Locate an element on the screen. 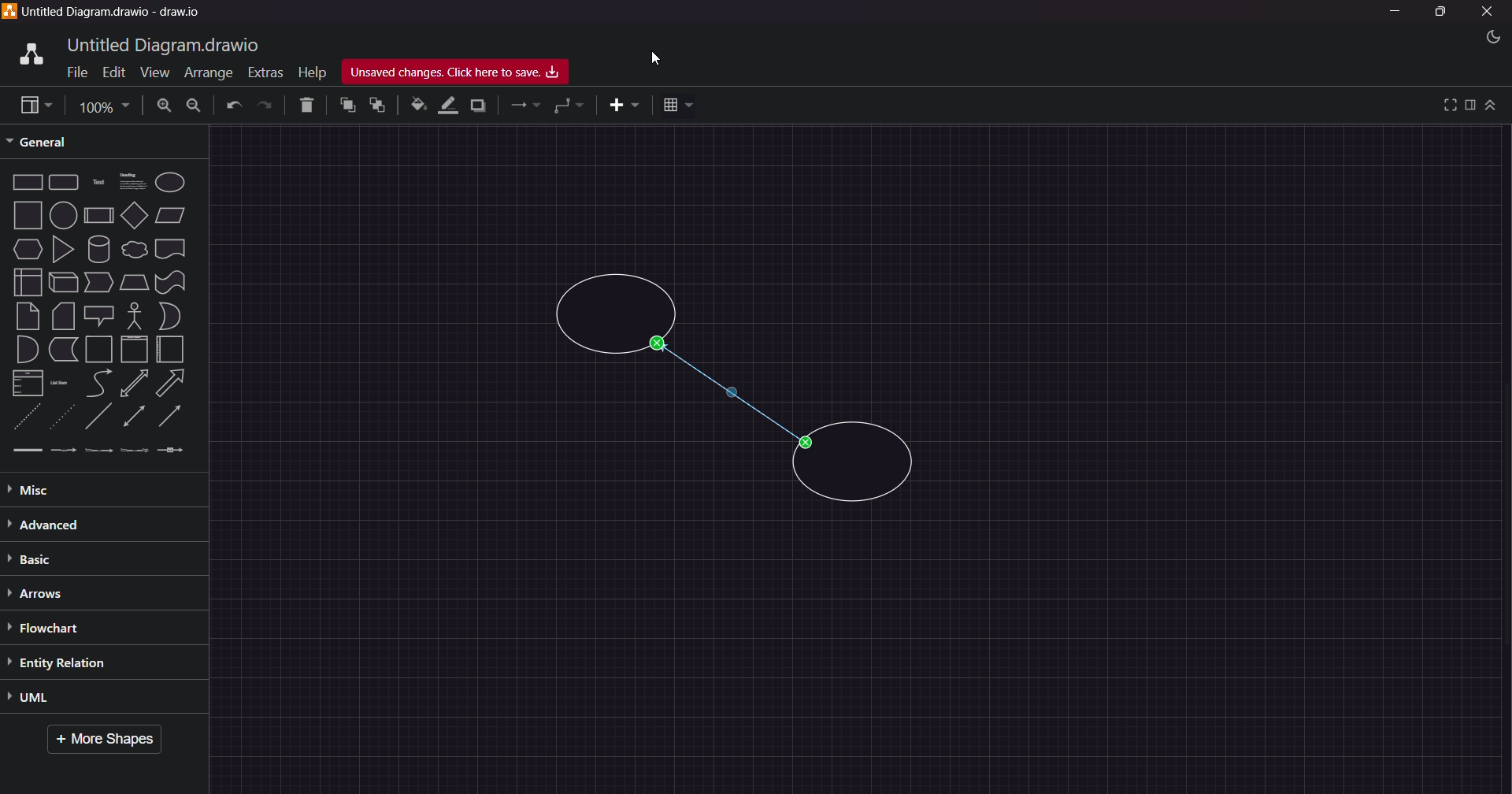 This screenshot has width=1512, height=794. view full screen is located at coordinates (1447, 104).